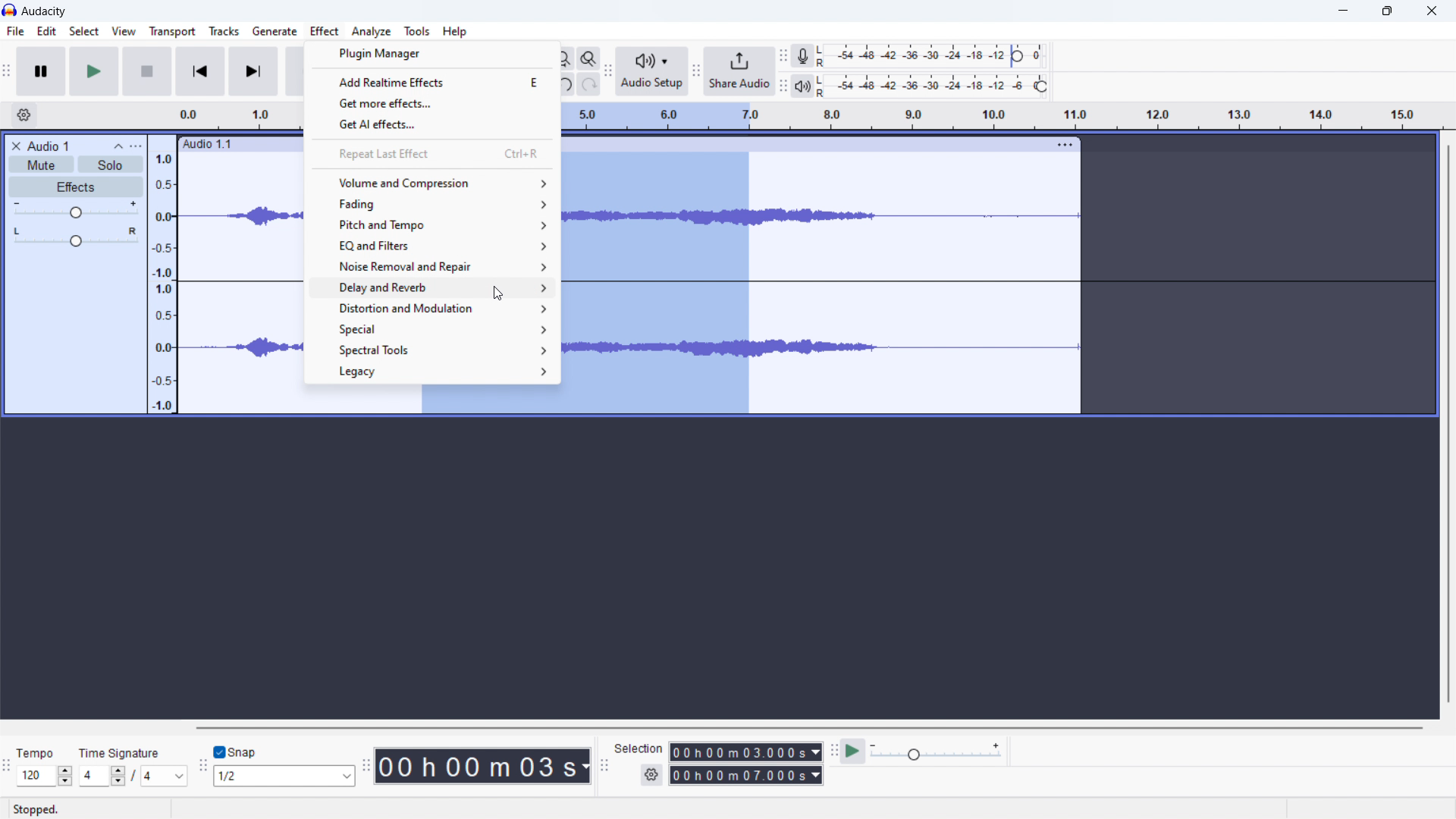 The height and width of the screenshot is (819, 1456). Describe the element at coordinates (75, 211) in the screenshot. I see `gain control` at that location.